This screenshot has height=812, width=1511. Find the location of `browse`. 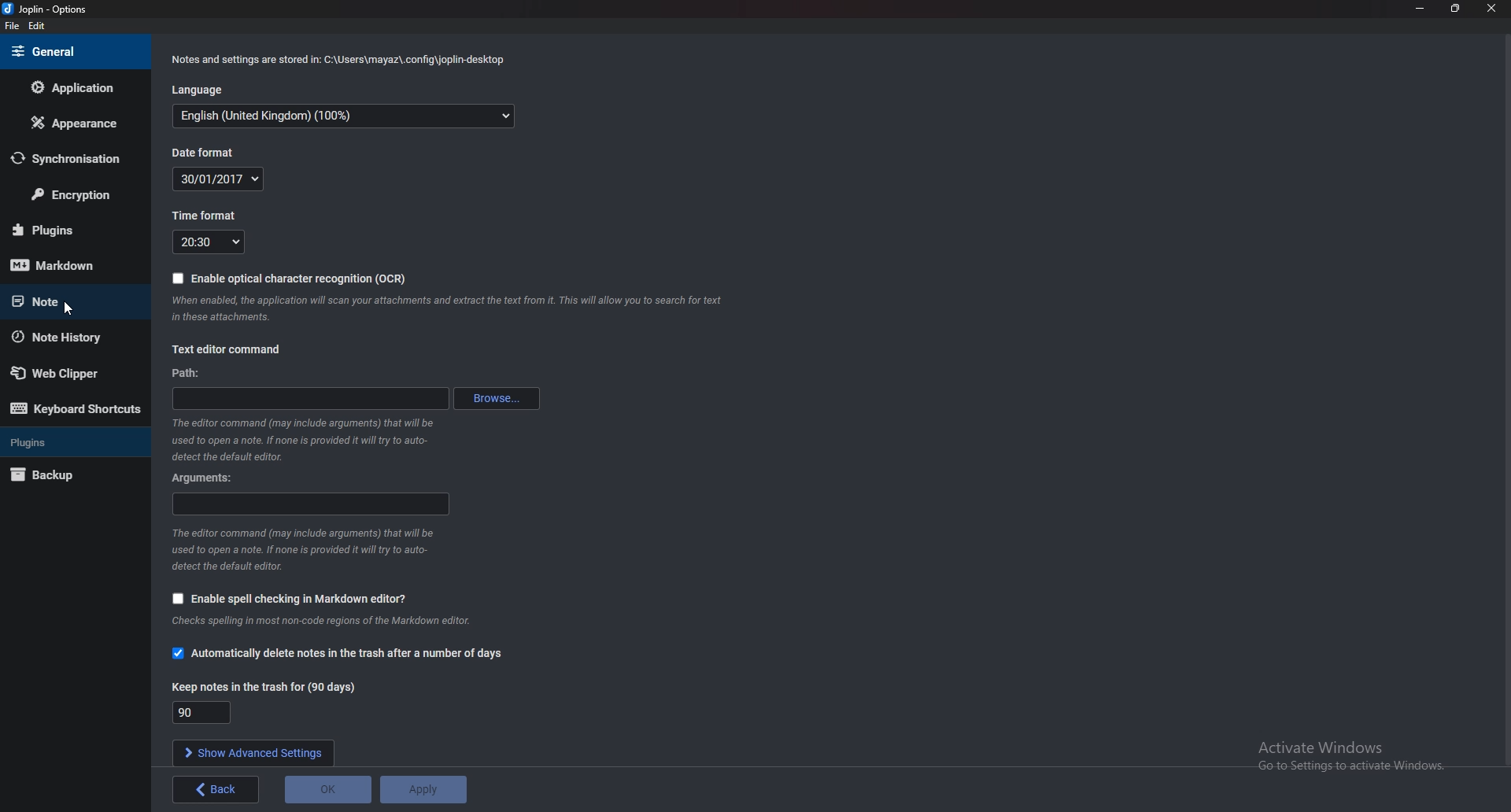

browse is located at coordinates (497, 397).